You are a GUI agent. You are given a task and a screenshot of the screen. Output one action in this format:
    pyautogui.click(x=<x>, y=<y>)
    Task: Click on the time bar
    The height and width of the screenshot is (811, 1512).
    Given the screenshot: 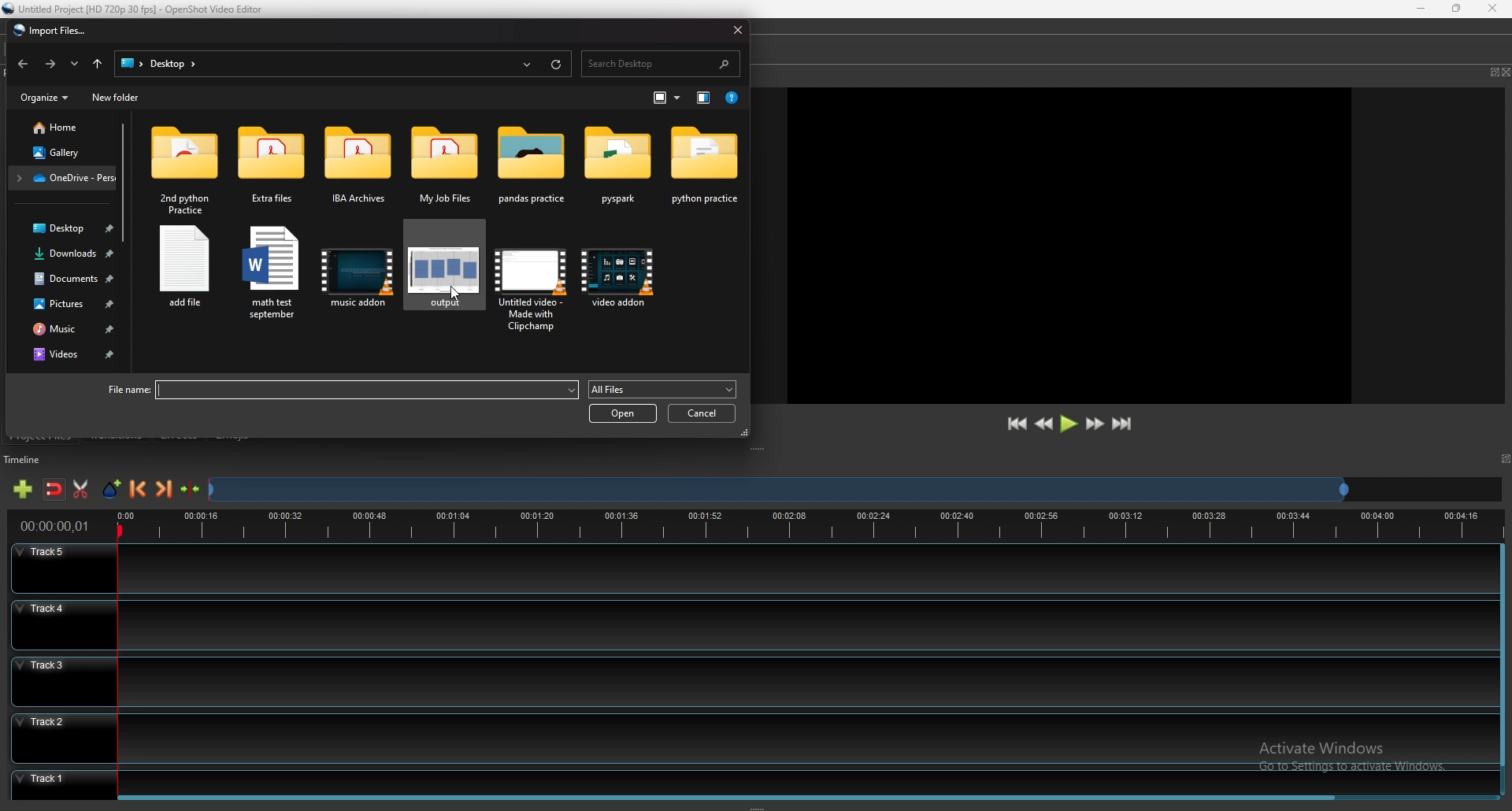 What is the action you would take?
    pyautogui.click(x=810, y=527)
    